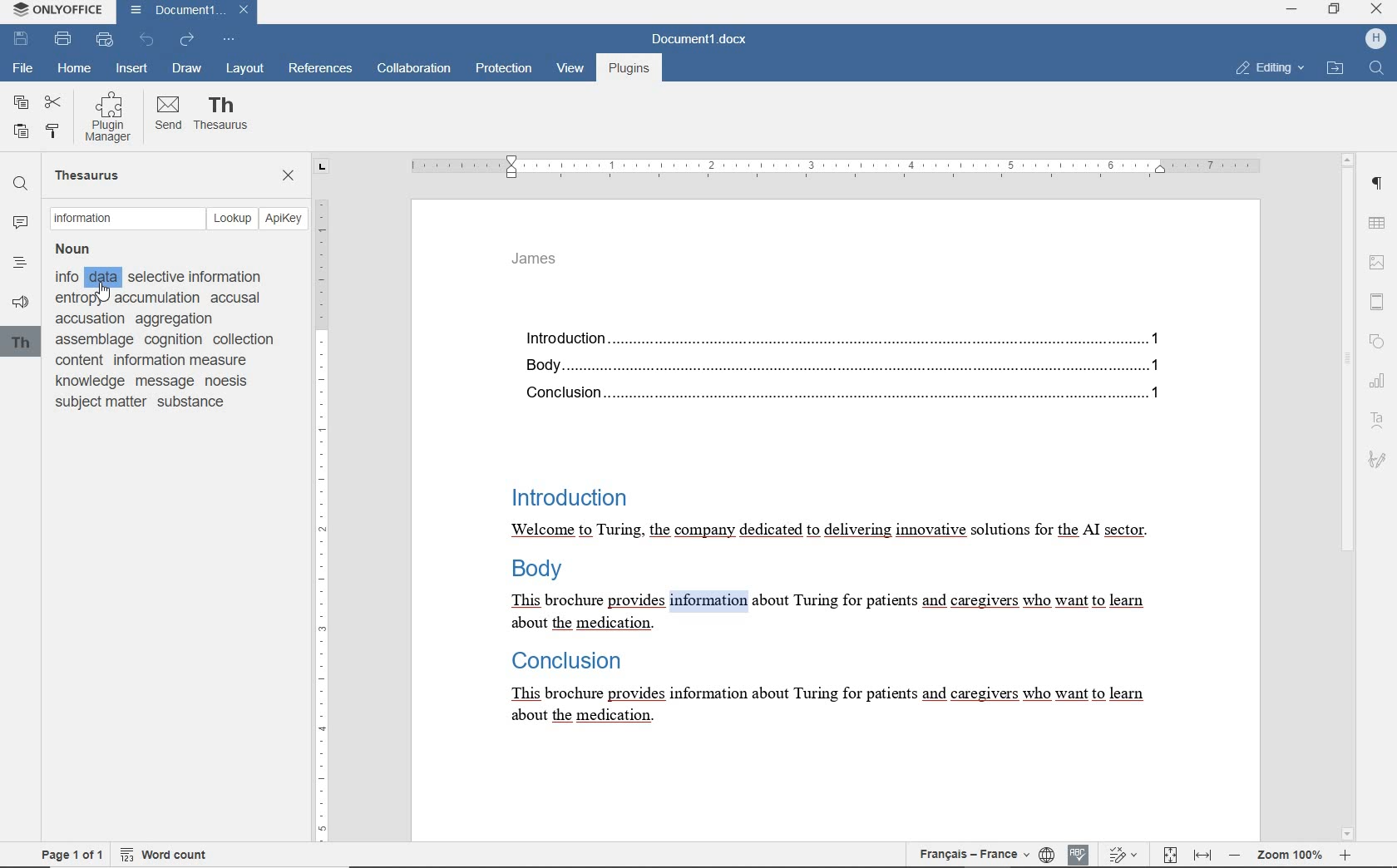  Describe the element at coordinates (289, 177) in the screenshot. I see `CLOSE` at that location.